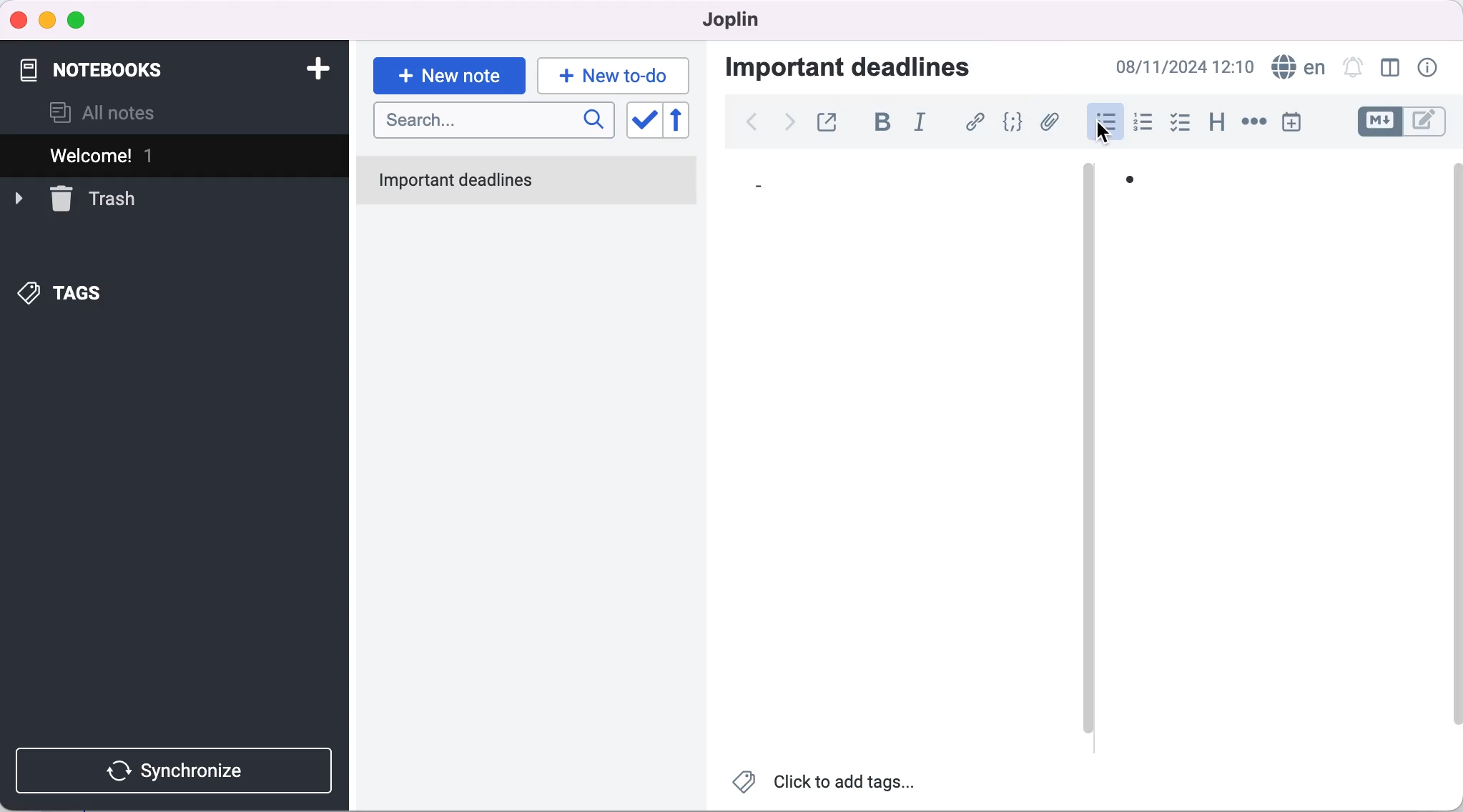 The image size is (1463, 812). Describe the element at coordinates (685, 124) in the screenshot. I see `reverse sort order` at that location.